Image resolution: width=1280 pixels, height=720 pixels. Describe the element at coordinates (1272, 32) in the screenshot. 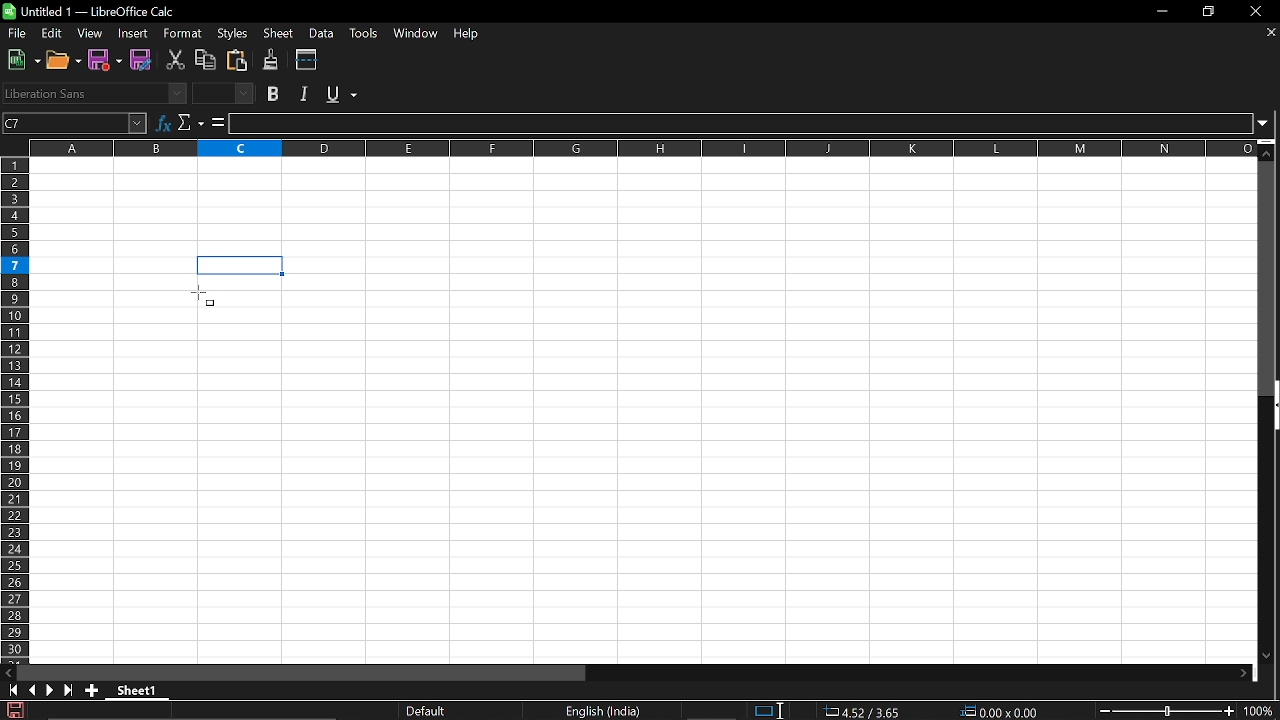

I see `Close document` at that location.